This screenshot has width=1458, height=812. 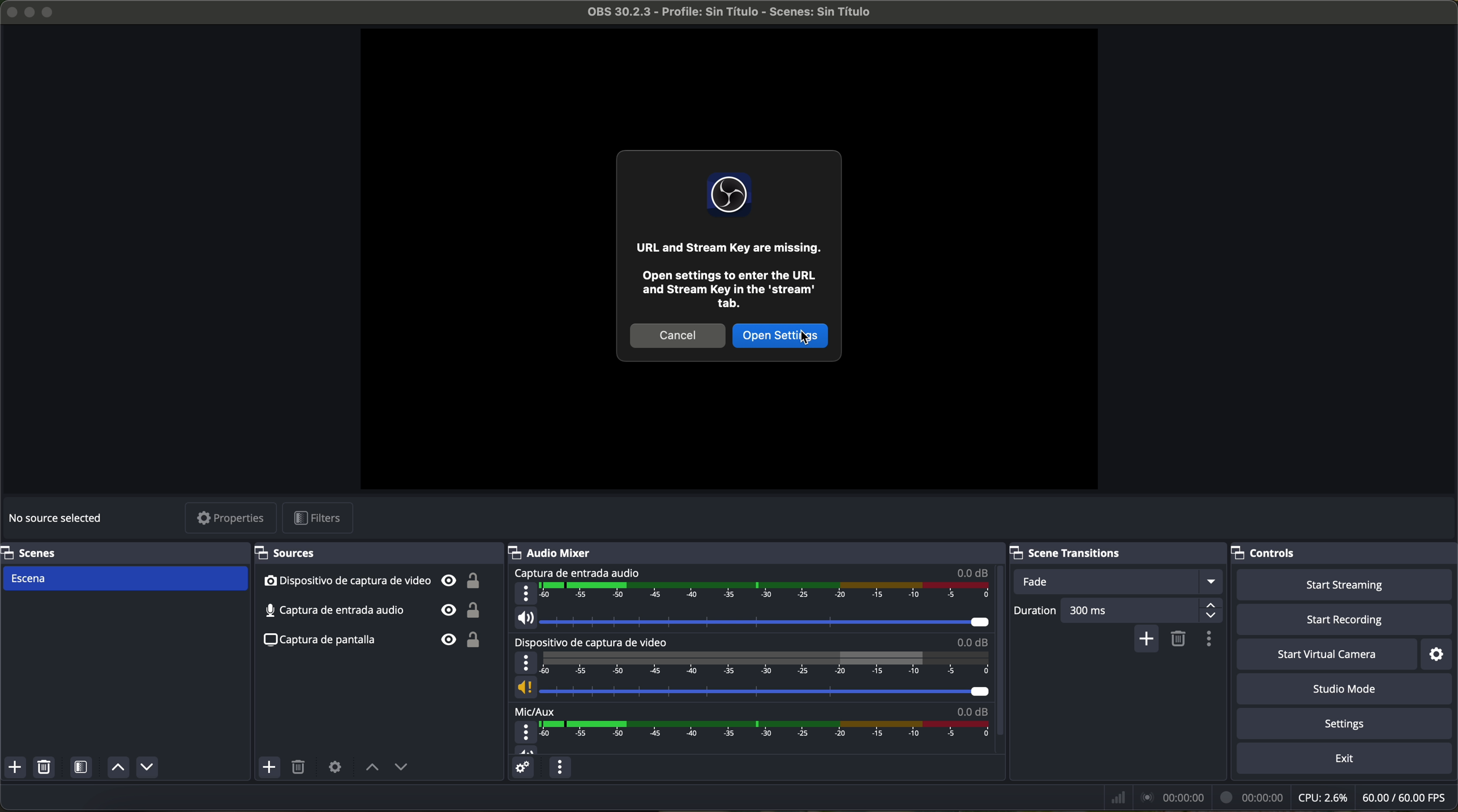 I want to click on remove configurable transition, so click(x=1179, y=638).